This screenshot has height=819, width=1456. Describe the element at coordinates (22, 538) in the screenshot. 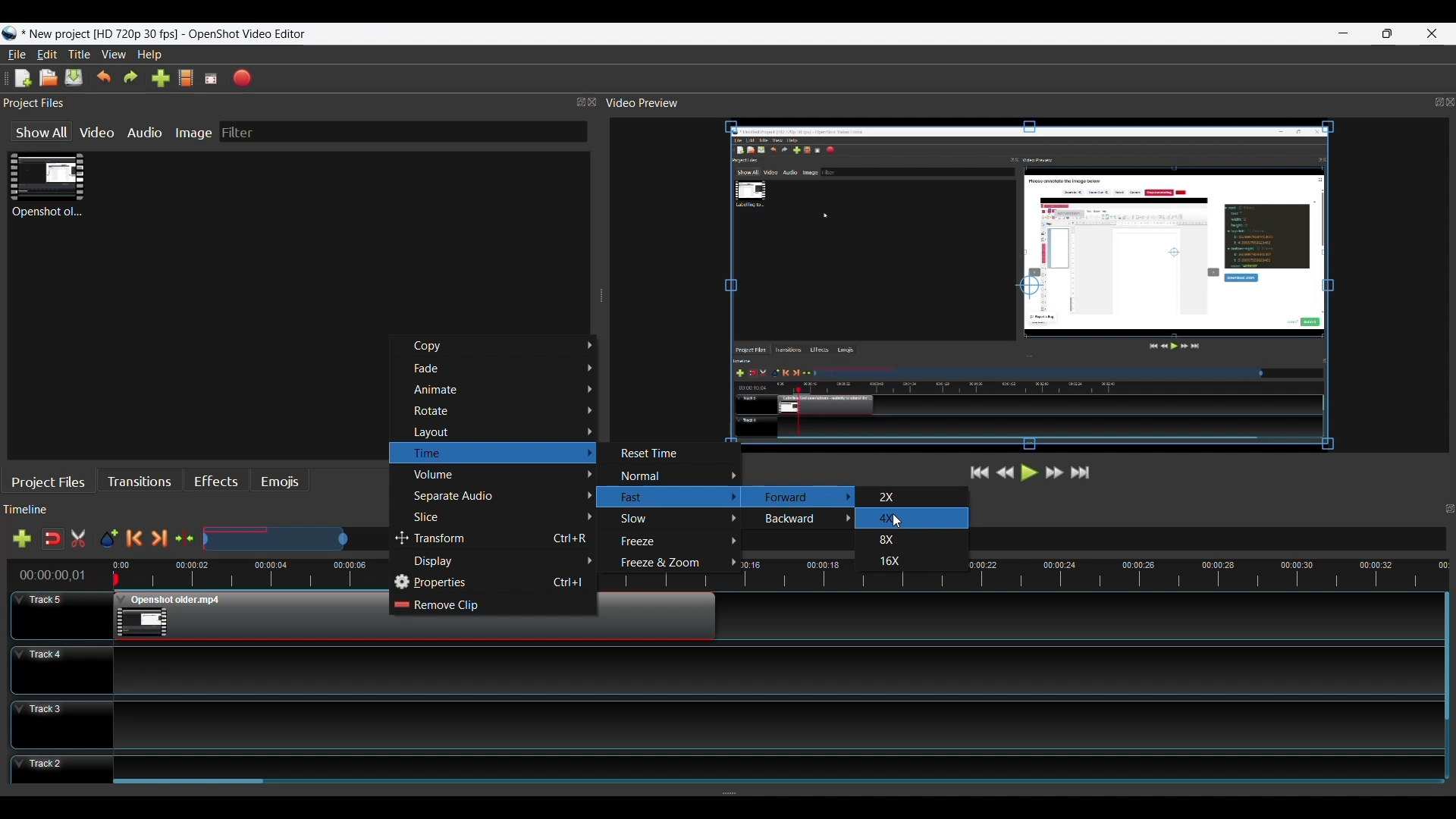

I see `Add Track` at that location.